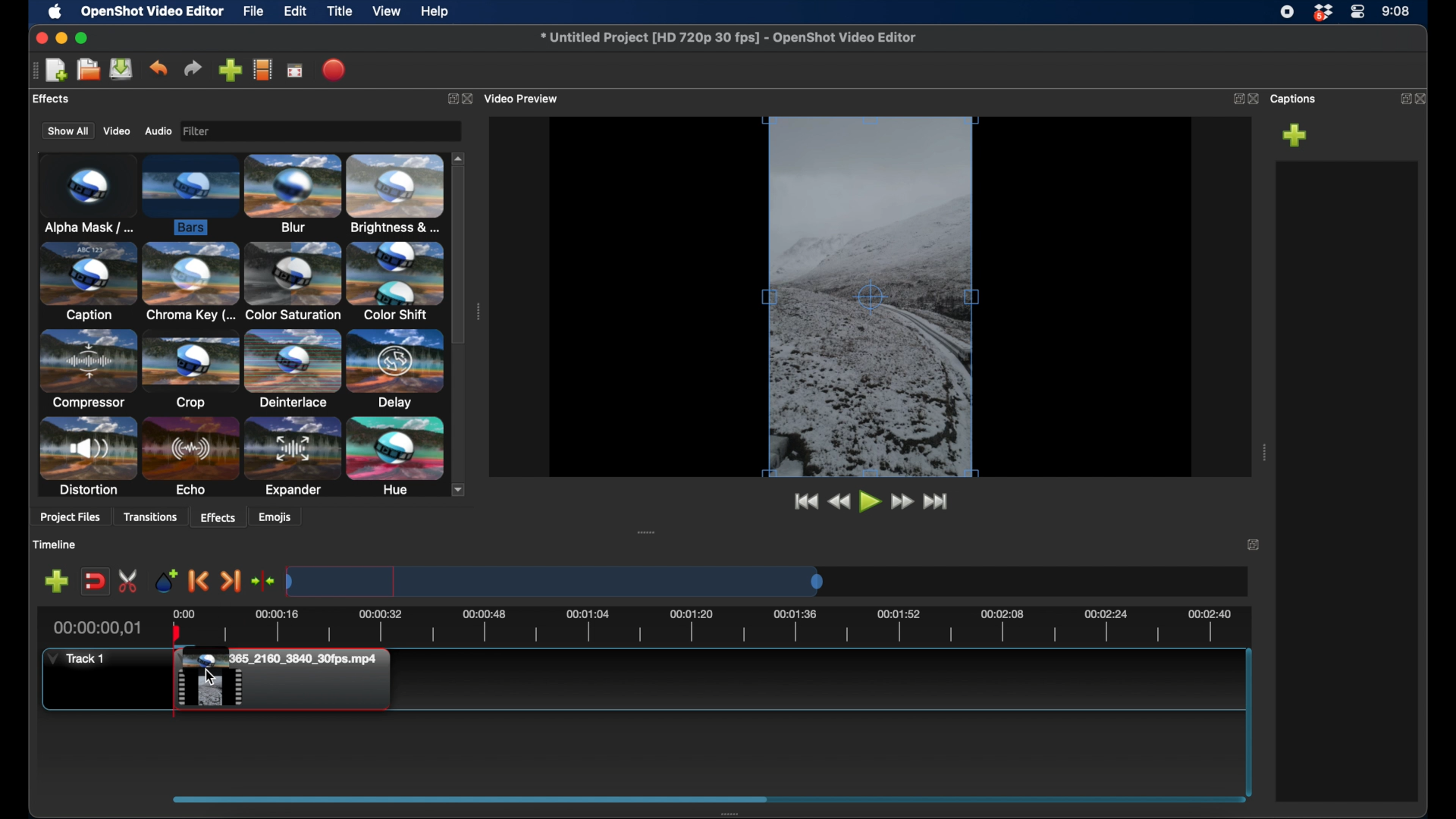 The image size is (1456, 819). What do you see at coordinates (230, 70) in the screenshot?
I see `import files` at bounding box center [230, 70].